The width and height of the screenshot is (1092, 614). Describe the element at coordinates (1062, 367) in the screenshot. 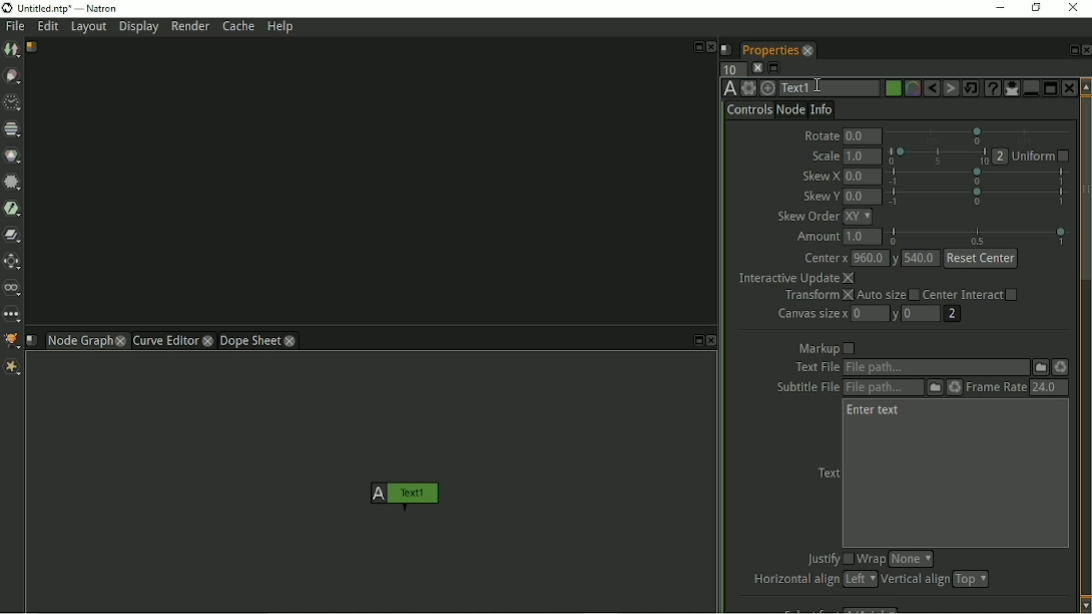

I see `Reload the file` at that location.